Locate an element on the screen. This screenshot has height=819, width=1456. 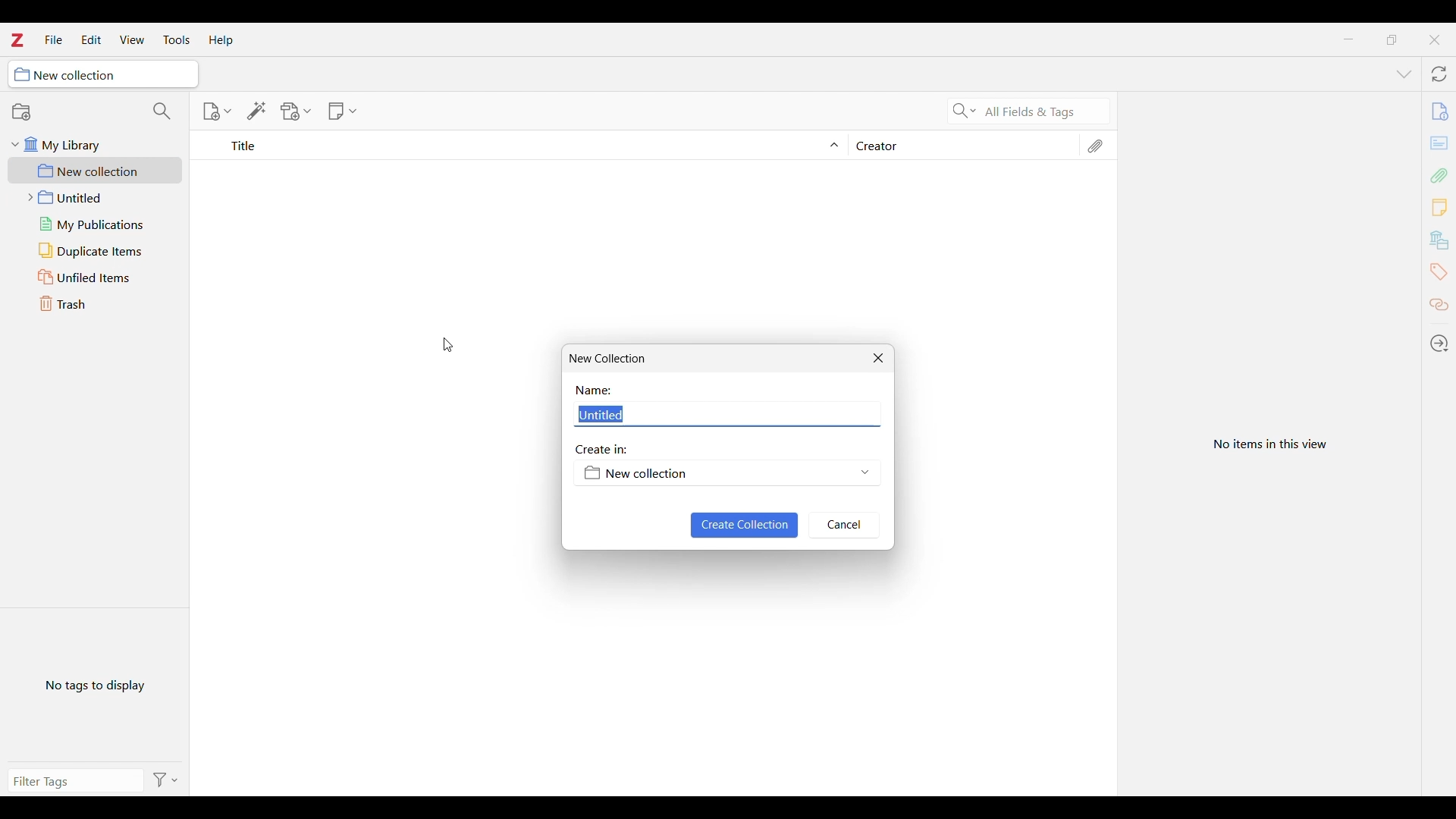
List all tabs is located at coordinates (1404, 75).